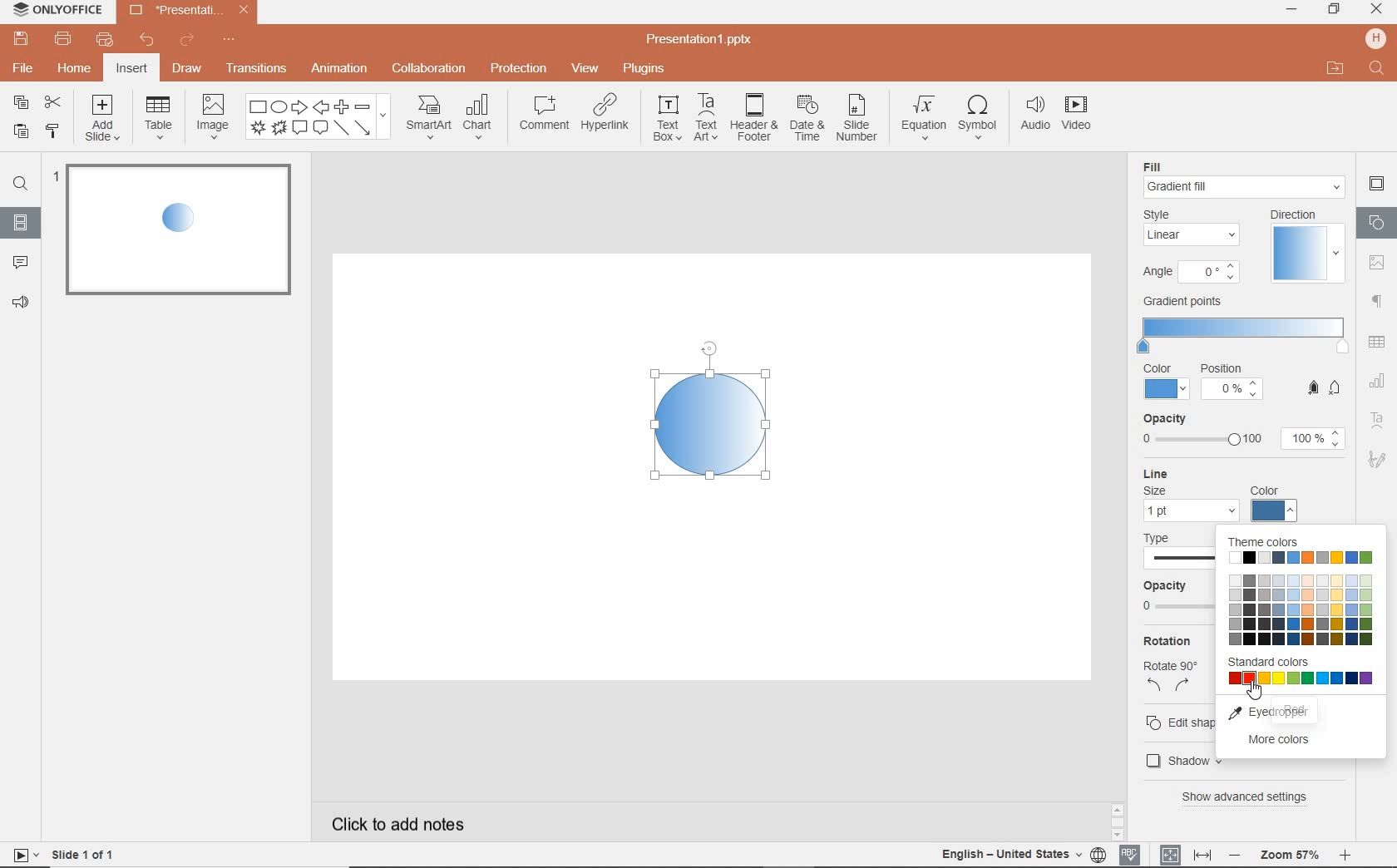 This screenshot has height=868, width=1397. Describe the element at coordinates (188, 40) in the screenshot. I see `redo` at that location.